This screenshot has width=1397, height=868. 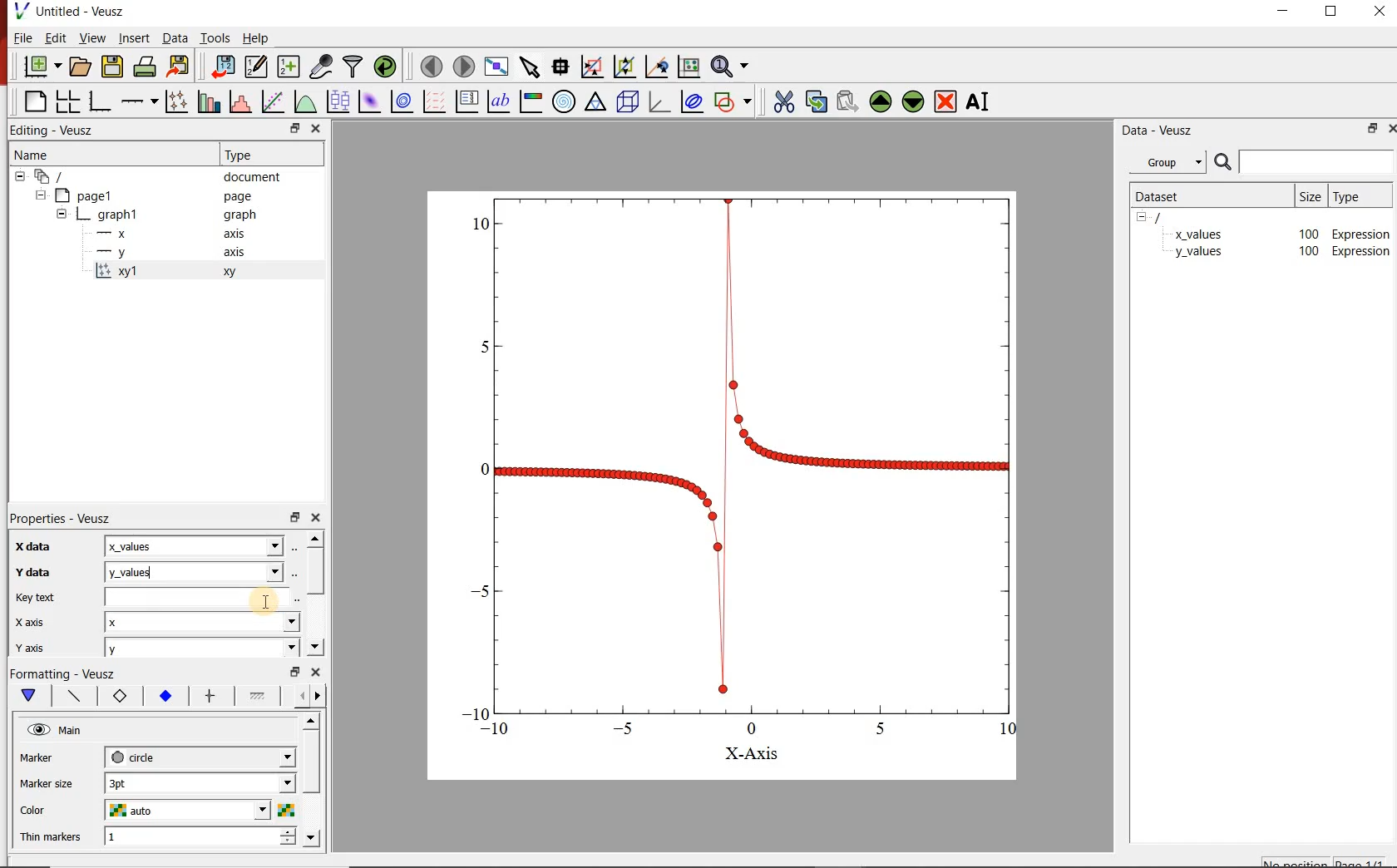 I want to click on hide, so click(x=62, y=213).